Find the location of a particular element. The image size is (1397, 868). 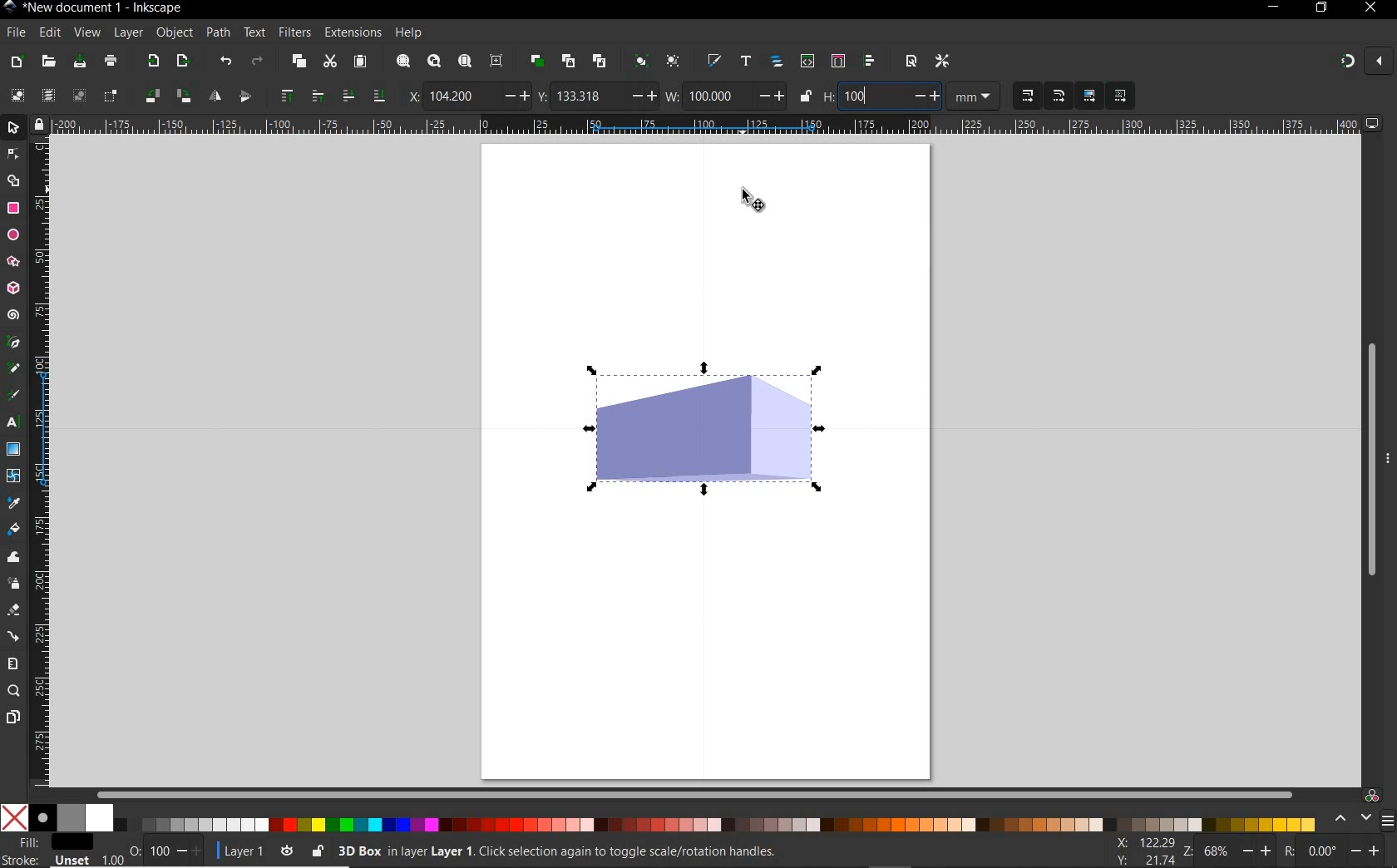

help is located at coordinates (410, 32).